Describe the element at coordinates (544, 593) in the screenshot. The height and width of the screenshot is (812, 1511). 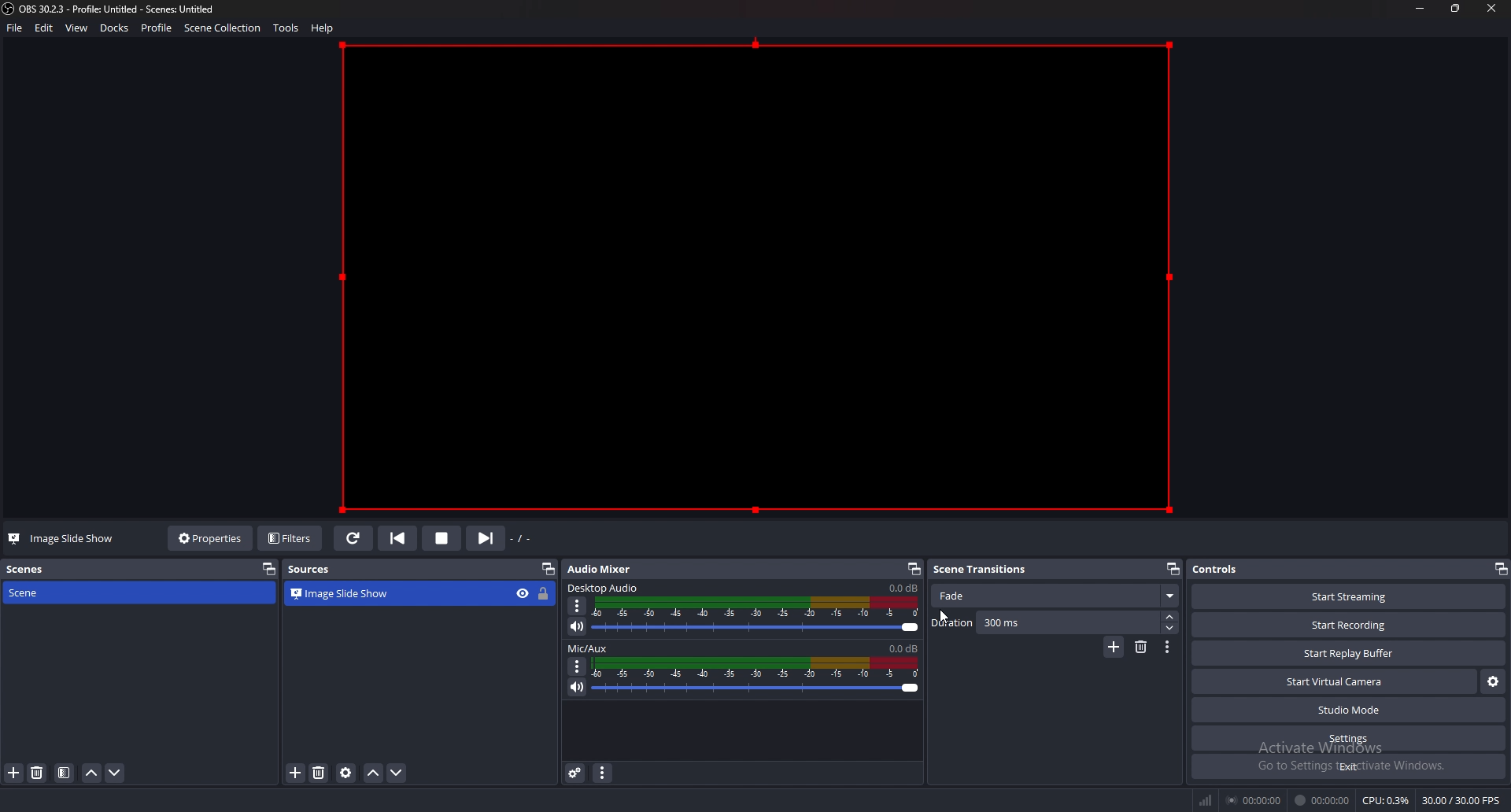
I see `lock` at that location.